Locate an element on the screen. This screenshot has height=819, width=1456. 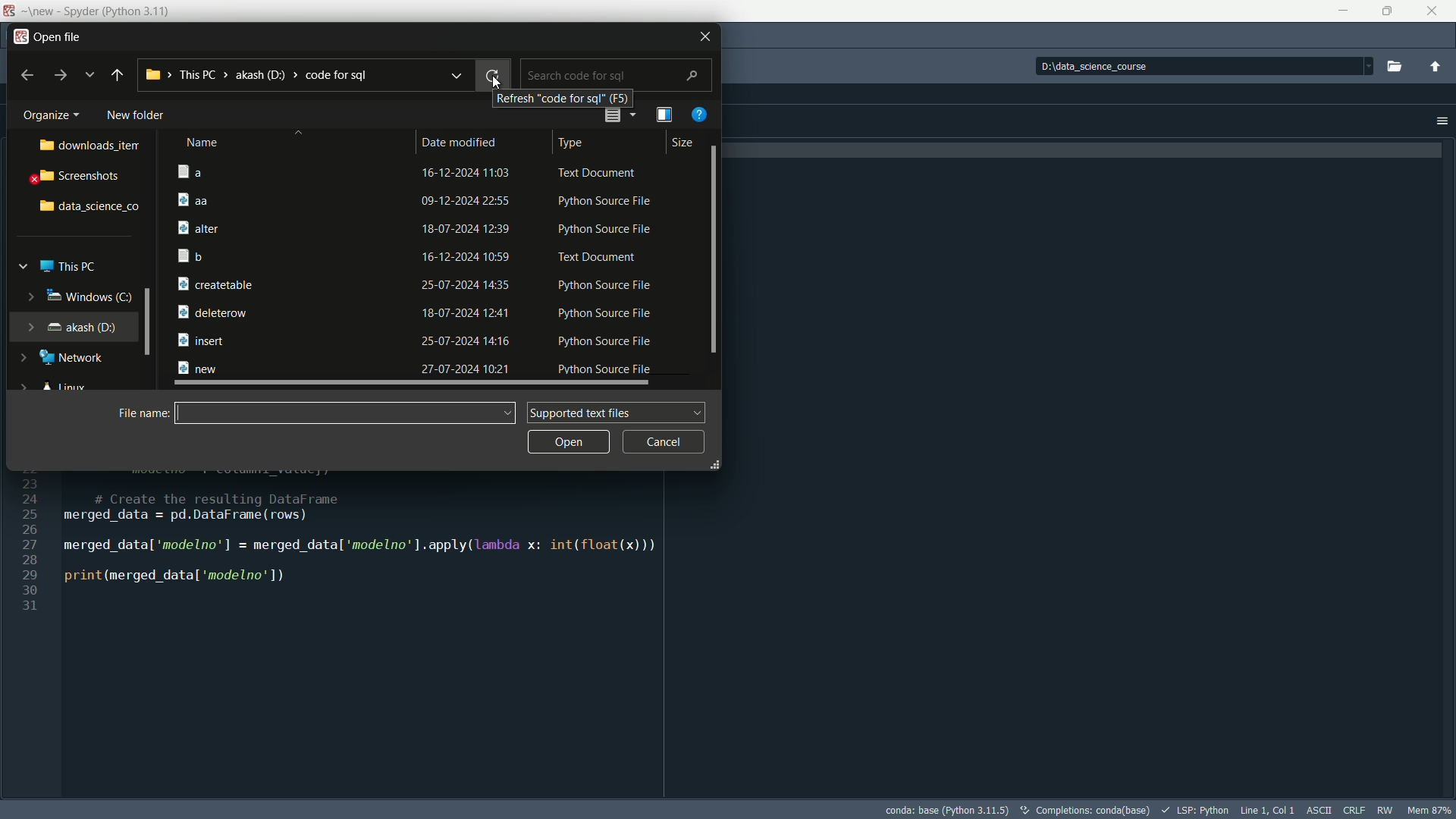
Browse a working directory is located at coordinates (1392, 67).